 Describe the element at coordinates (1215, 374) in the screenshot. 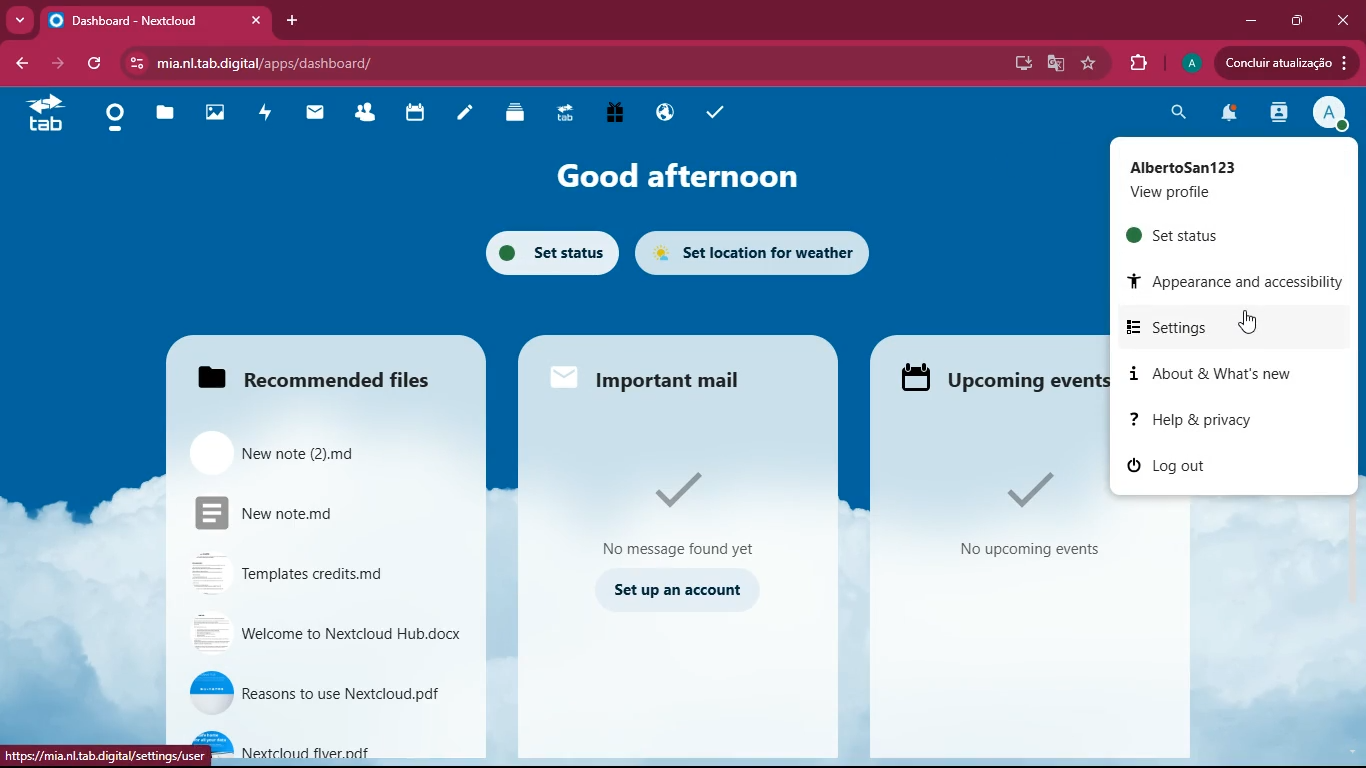

I see `about` at that location.